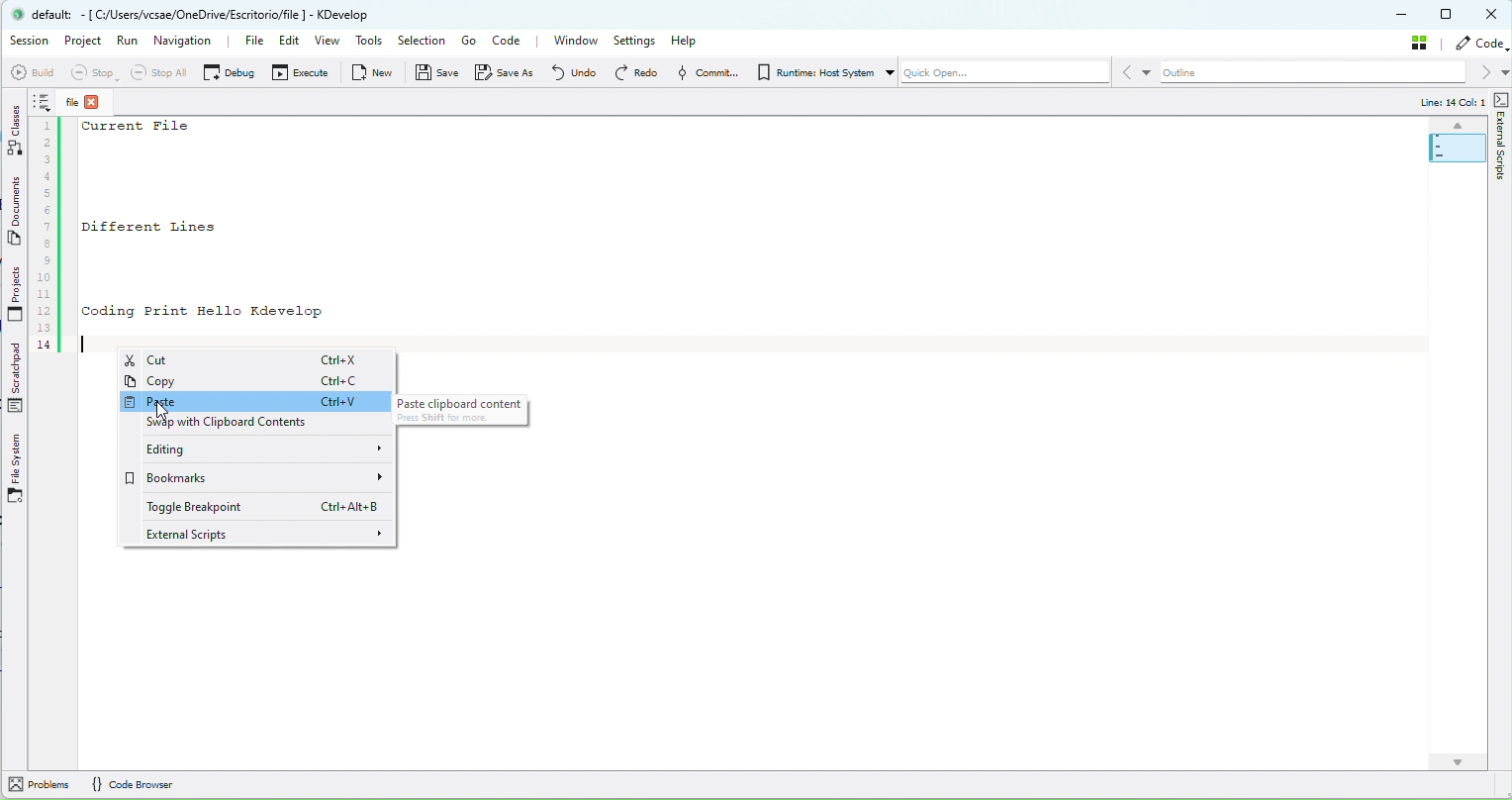  What do you see at coordinates (261, 448) in the screenshot?
I see `Editing` at bounding box center [261, 448].